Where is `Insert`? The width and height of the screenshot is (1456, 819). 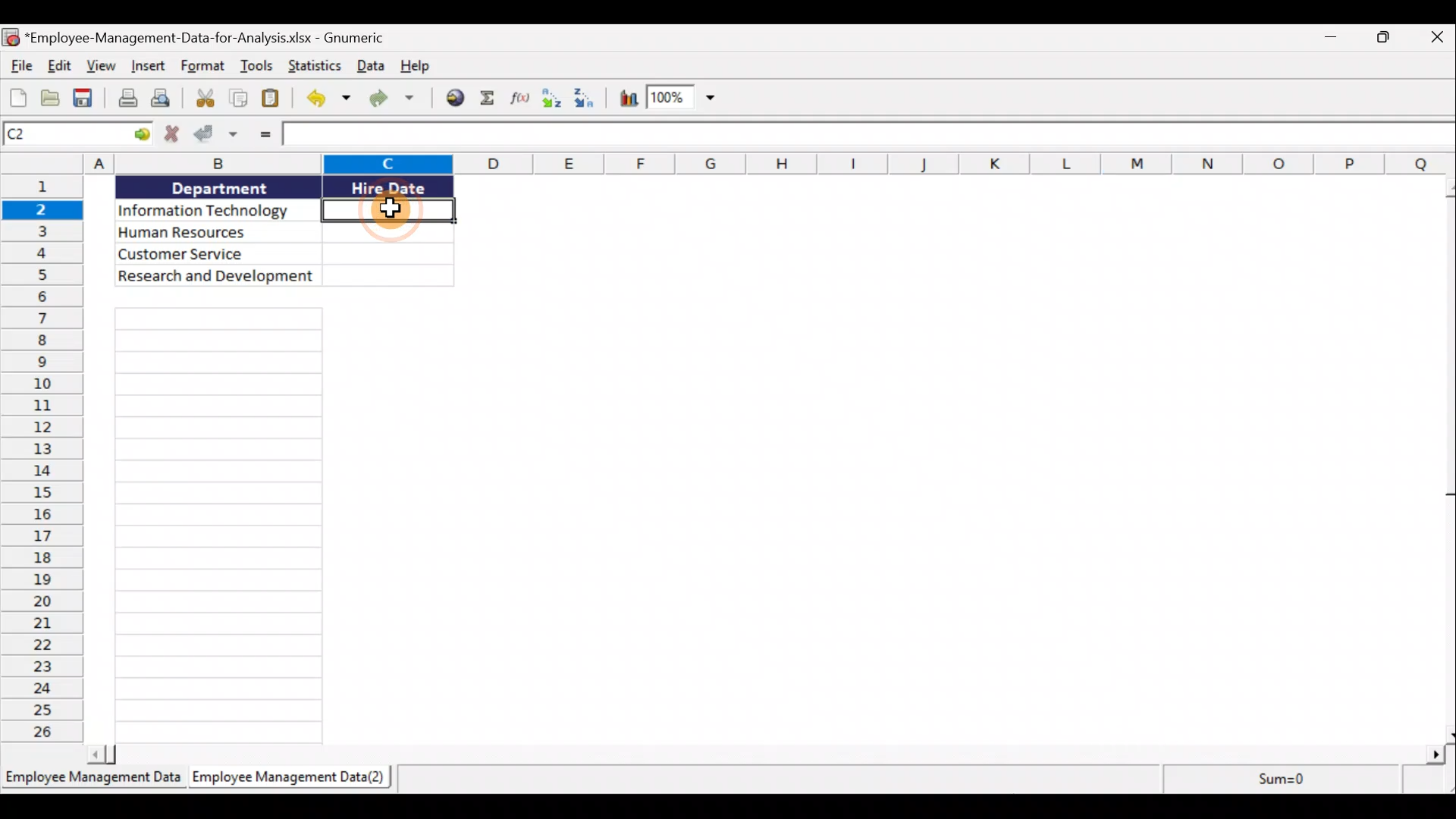 Insert is located at coordinates (149, 68).